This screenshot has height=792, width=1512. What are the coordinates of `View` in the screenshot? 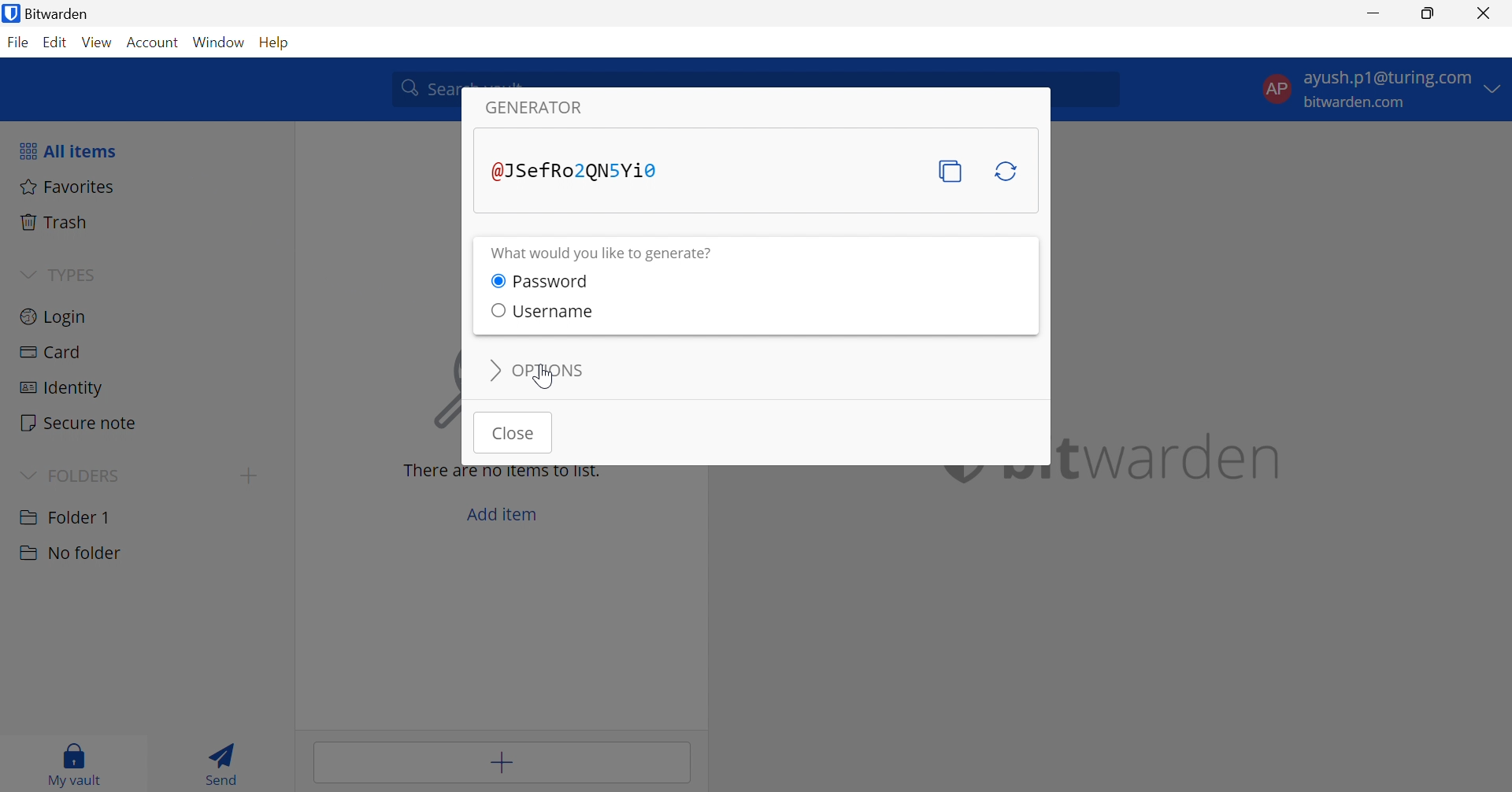 It's located at (98, 43).